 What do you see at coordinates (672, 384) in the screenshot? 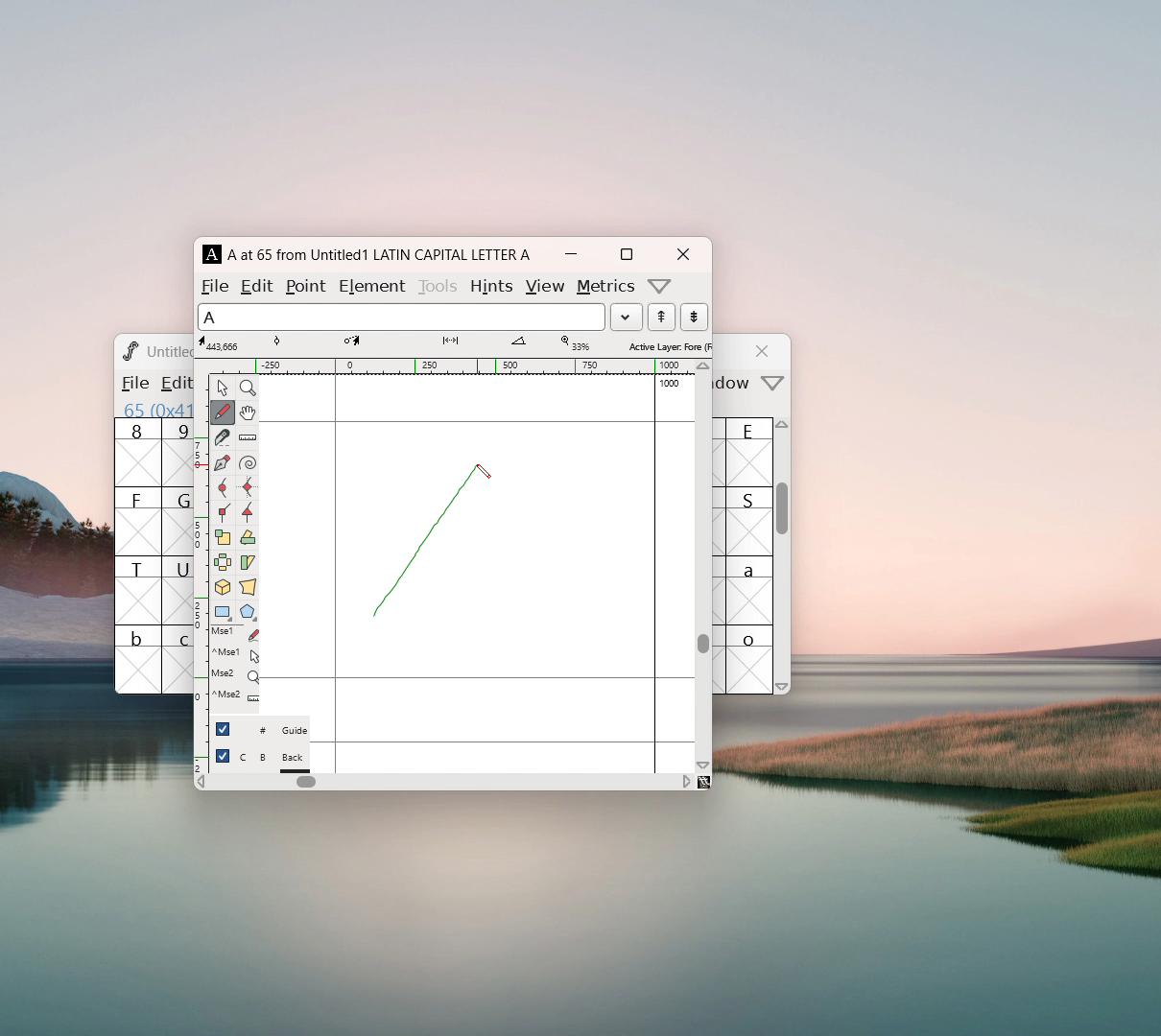
I see `1000` at bounding box center [672, 384].